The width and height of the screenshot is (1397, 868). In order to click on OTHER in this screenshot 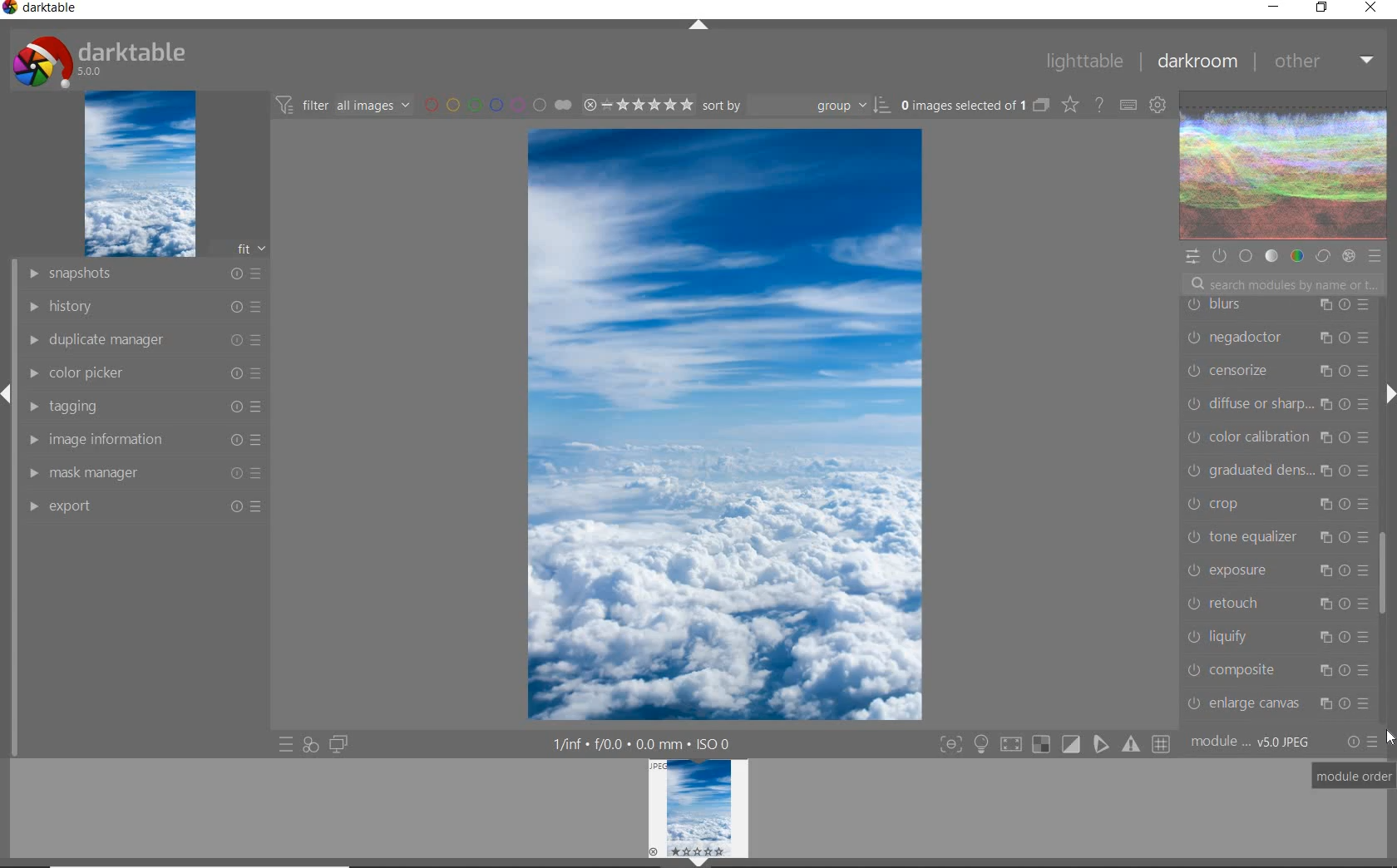, I will do `click(1321, 63)`.